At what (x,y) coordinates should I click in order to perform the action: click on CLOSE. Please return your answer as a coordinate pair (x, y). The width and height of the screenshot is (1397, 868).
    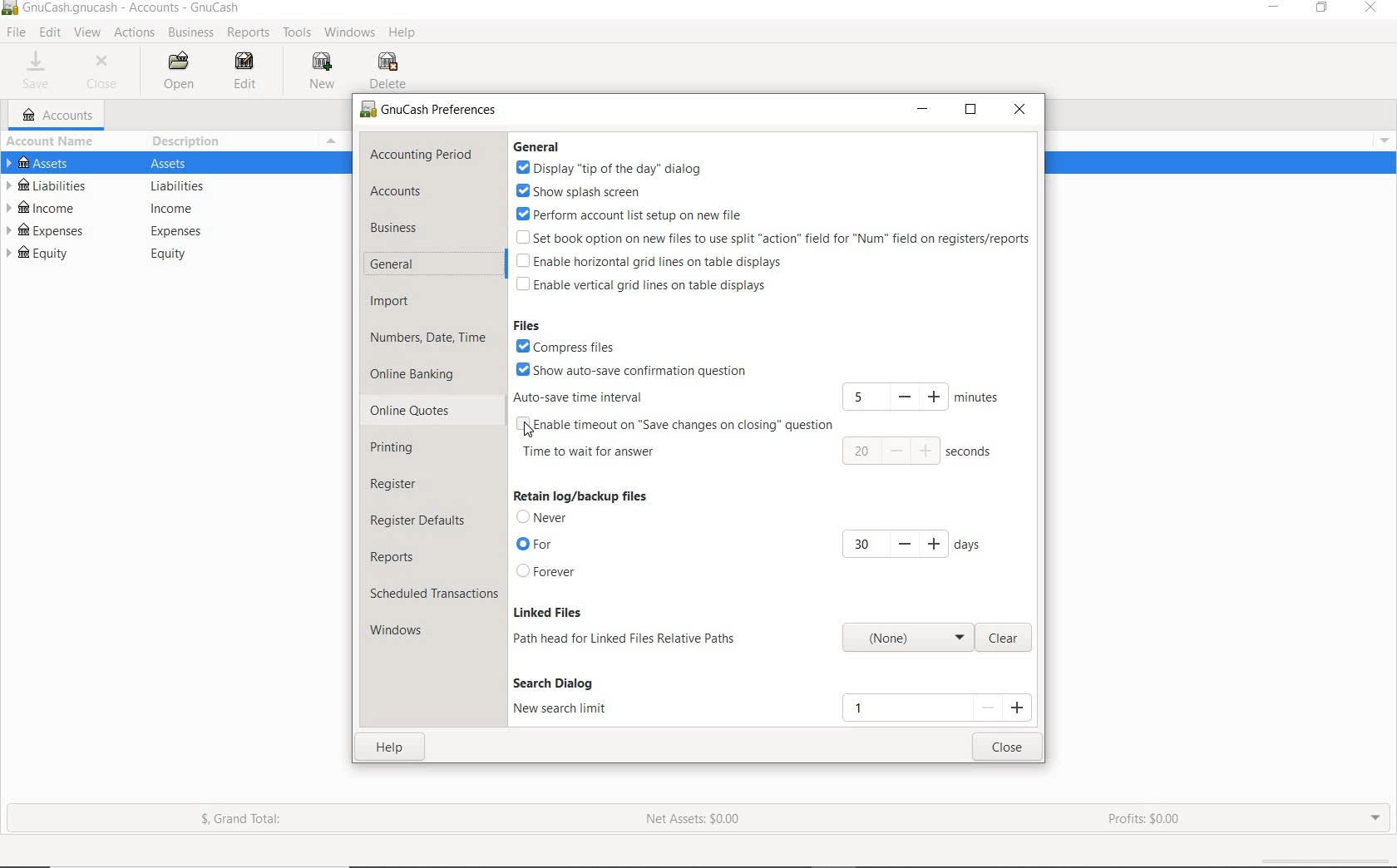
    Looking at the image, I should click on (101, 73).